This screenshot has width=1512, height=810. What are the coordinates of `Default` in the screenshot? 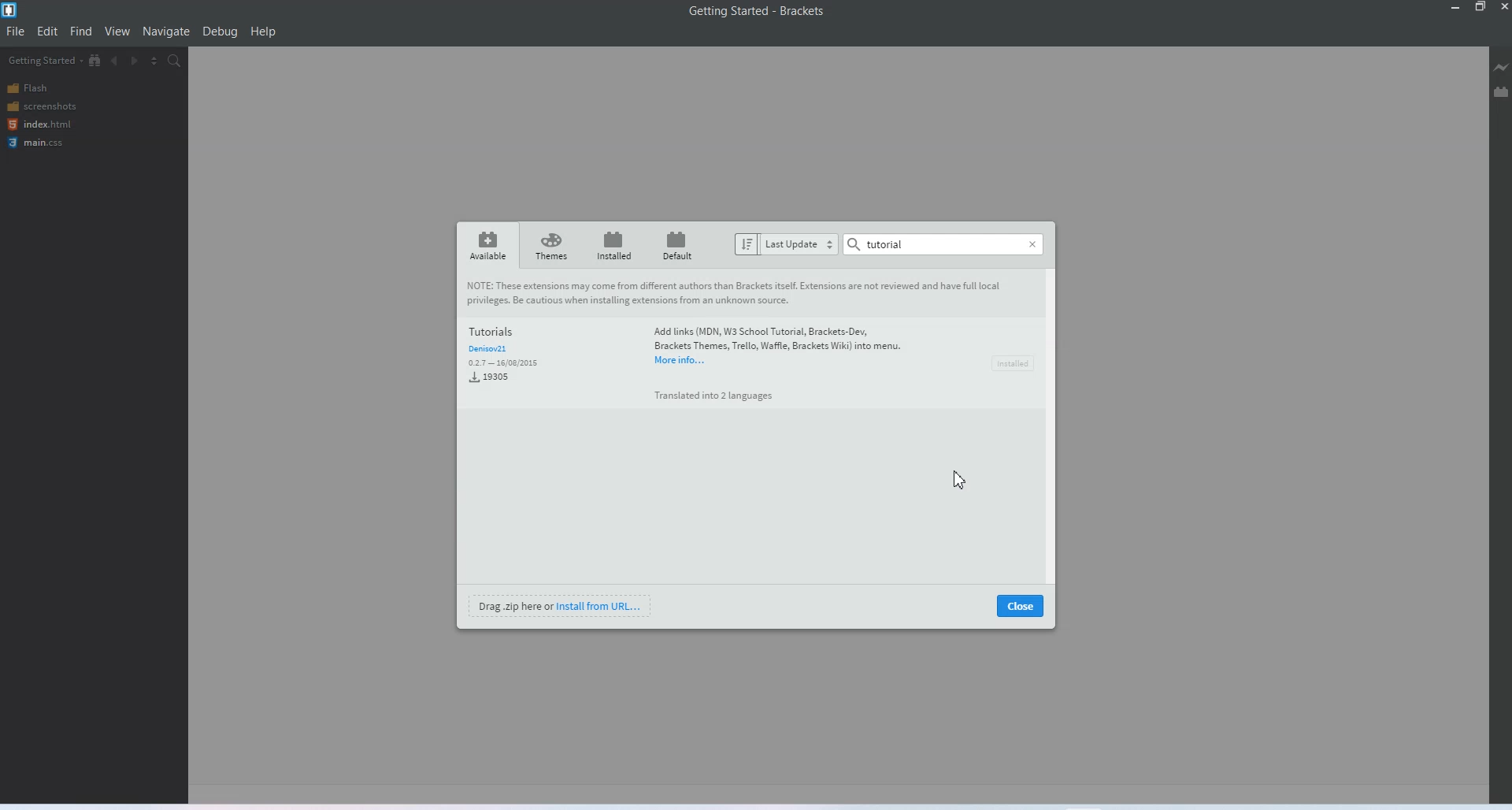 It's located at (675, 246).